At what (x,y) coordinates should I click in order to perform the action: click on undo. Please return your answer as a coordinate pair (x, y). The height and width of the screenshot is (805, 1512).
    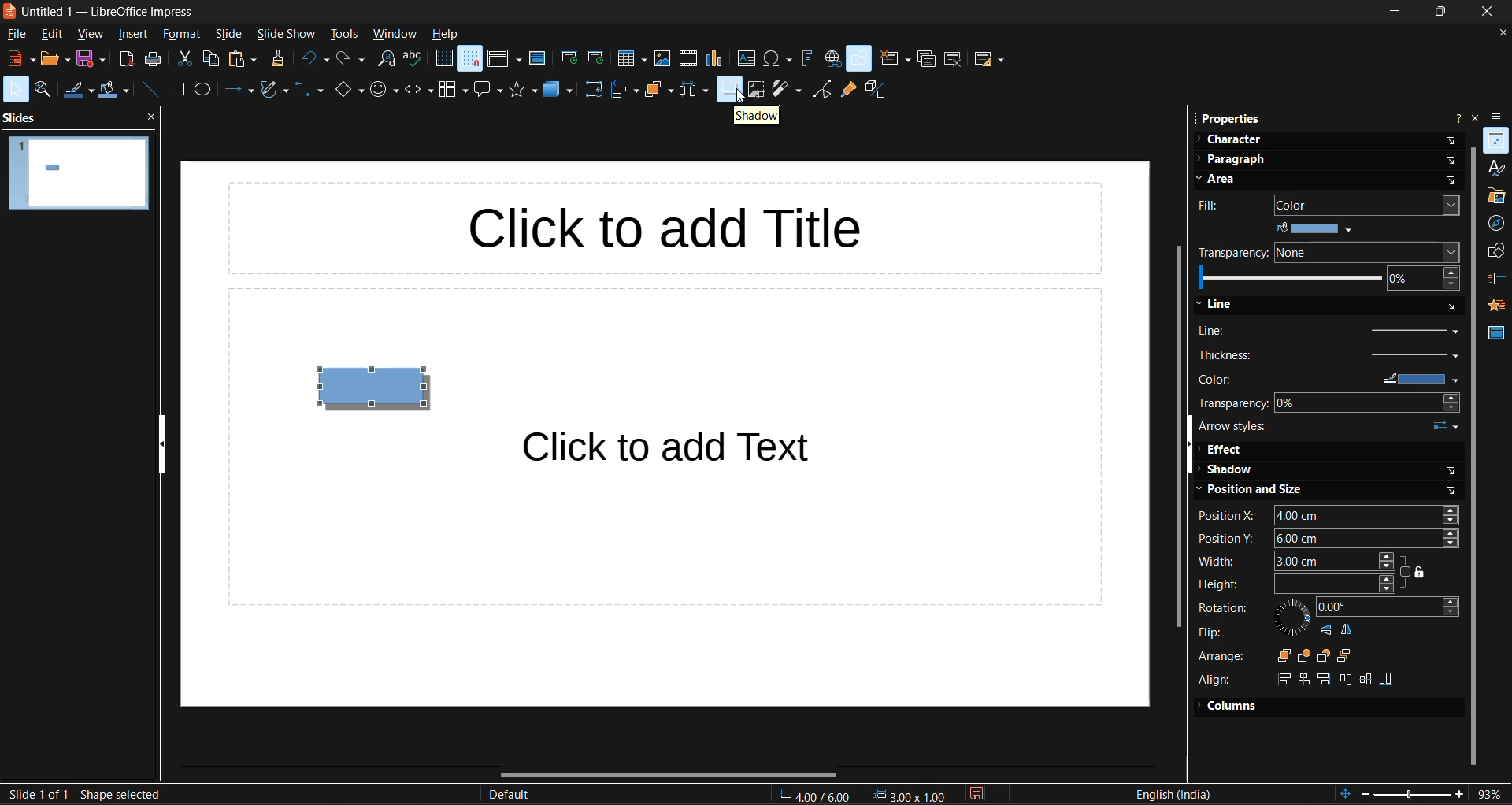
    Looking at the image, I should click on (312, 59).